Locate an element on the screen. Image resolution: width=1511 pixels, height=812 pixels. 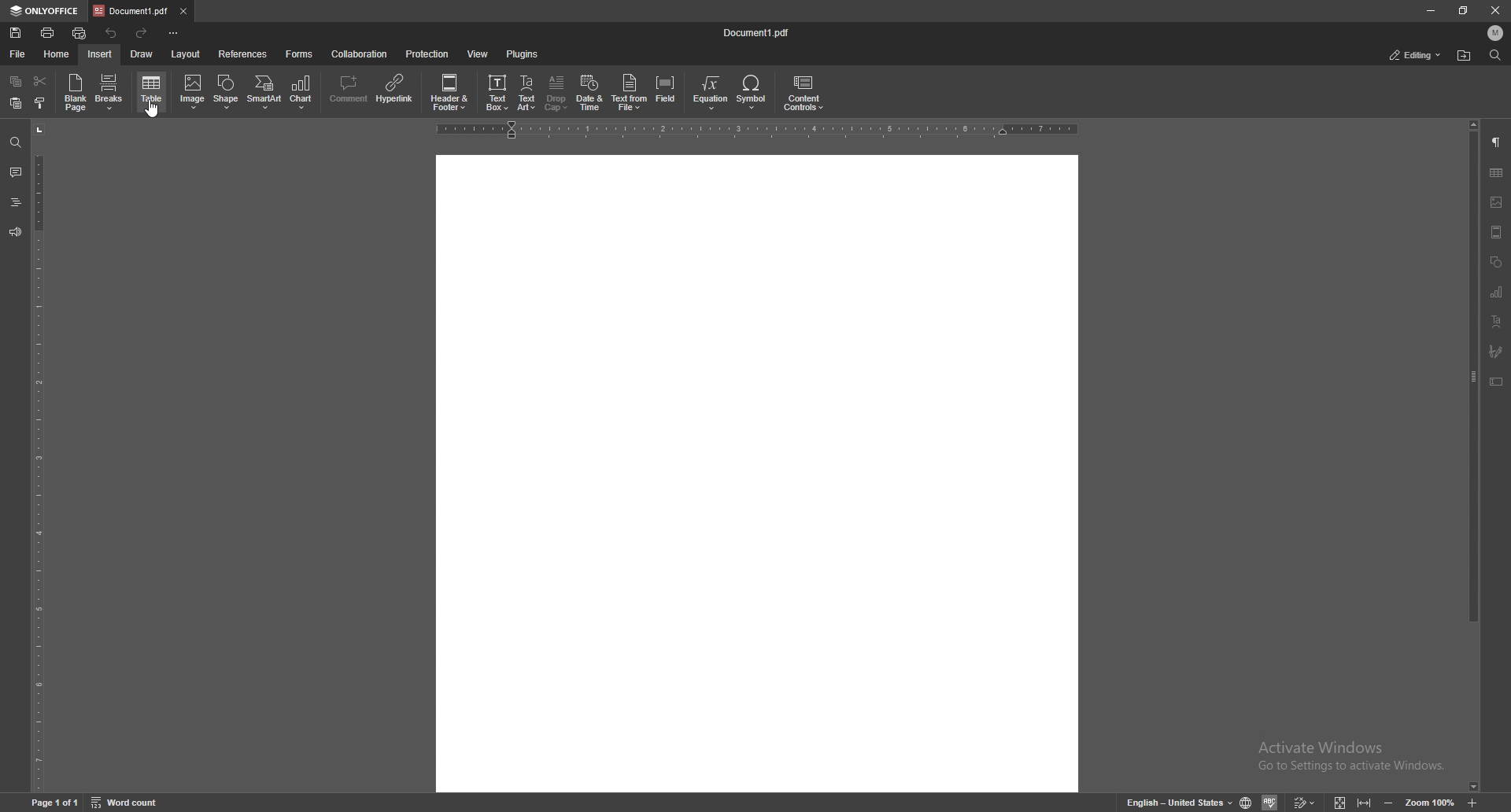
layout is located at coordinates (186, 54).